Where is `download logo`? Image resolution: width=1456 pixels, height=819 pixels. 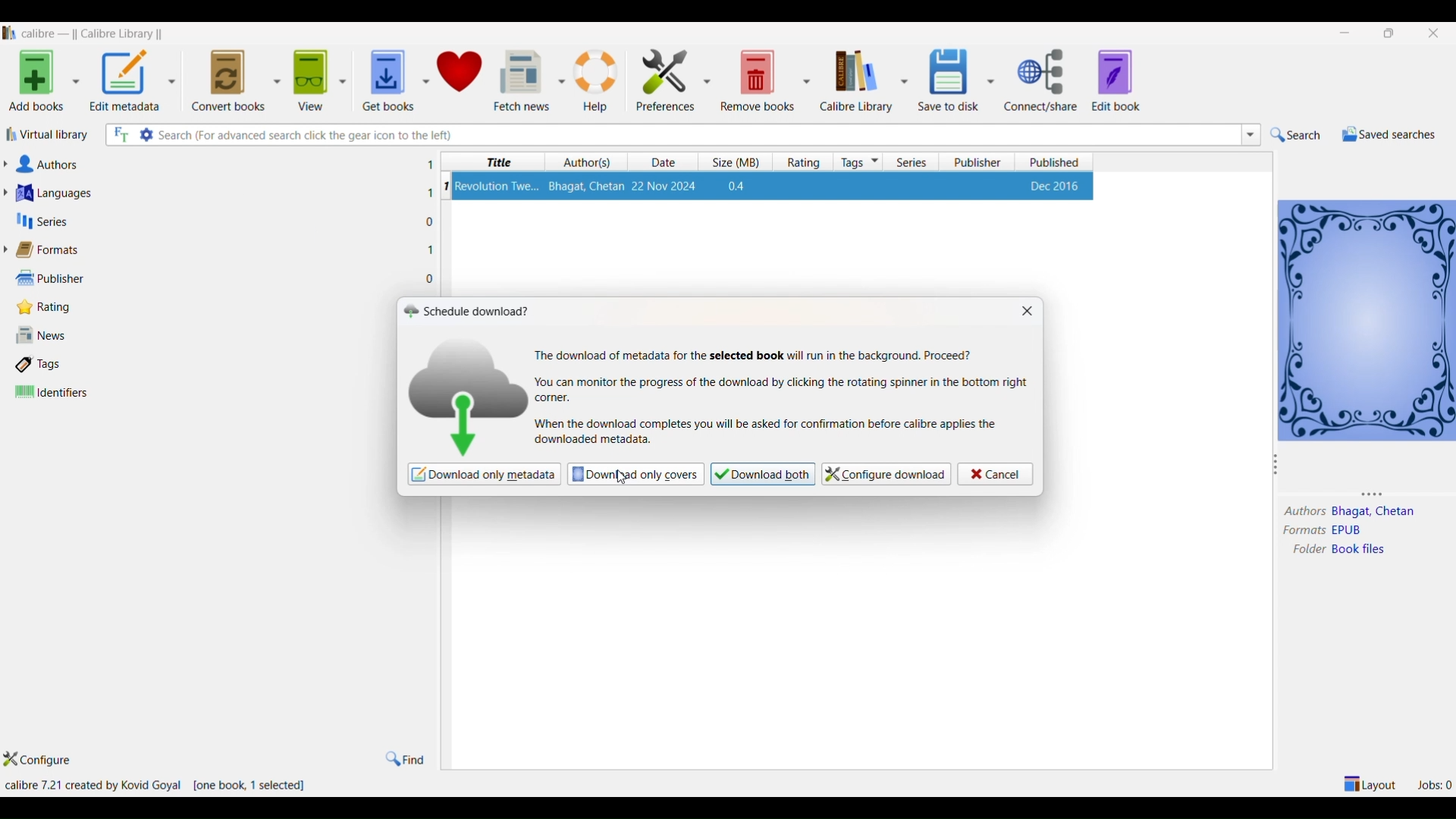 download logo is located at coordinates (467, 394).